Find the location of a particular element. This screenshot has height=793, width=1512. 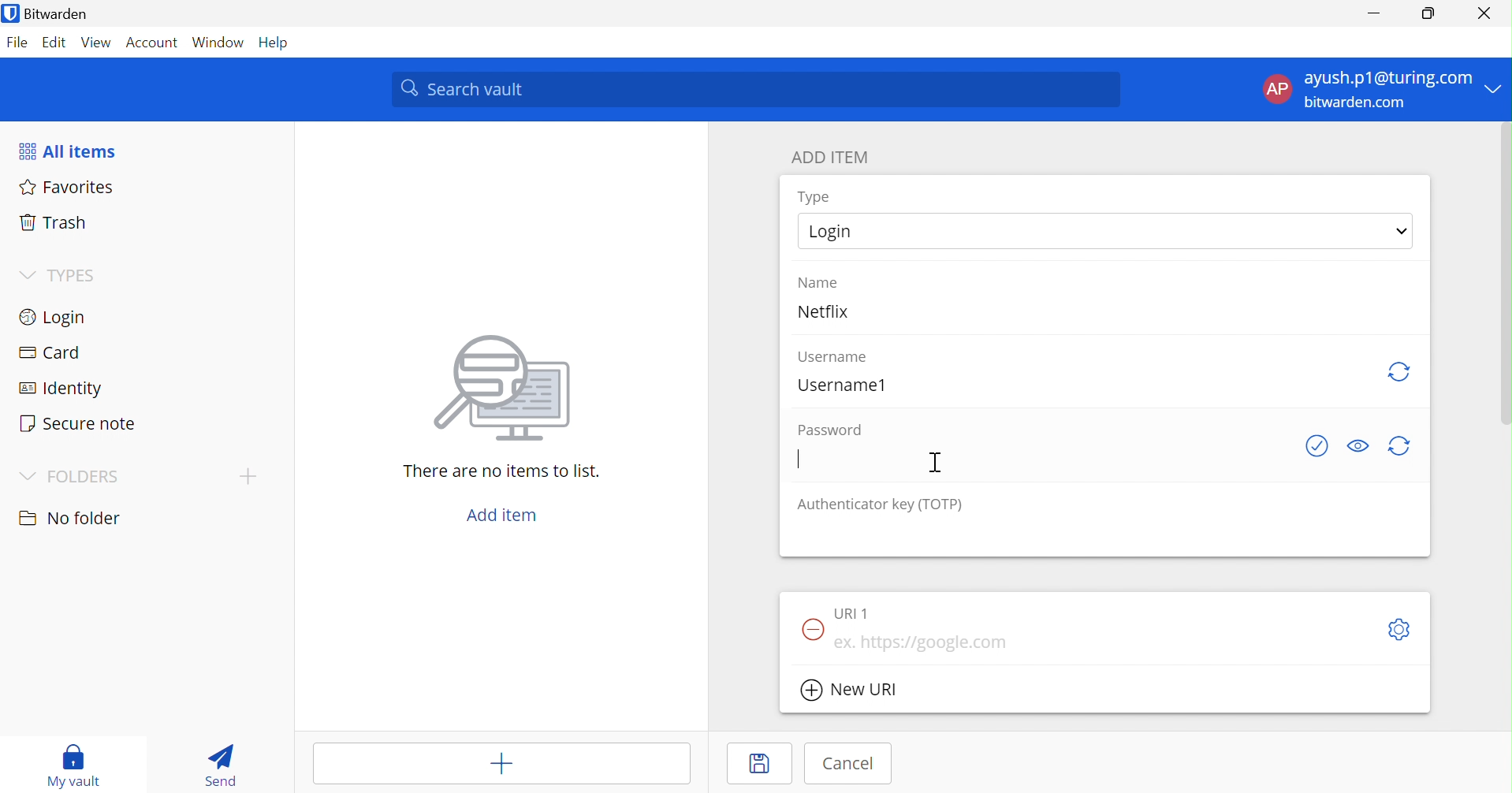

No folder is located at coordinates (70, 518).